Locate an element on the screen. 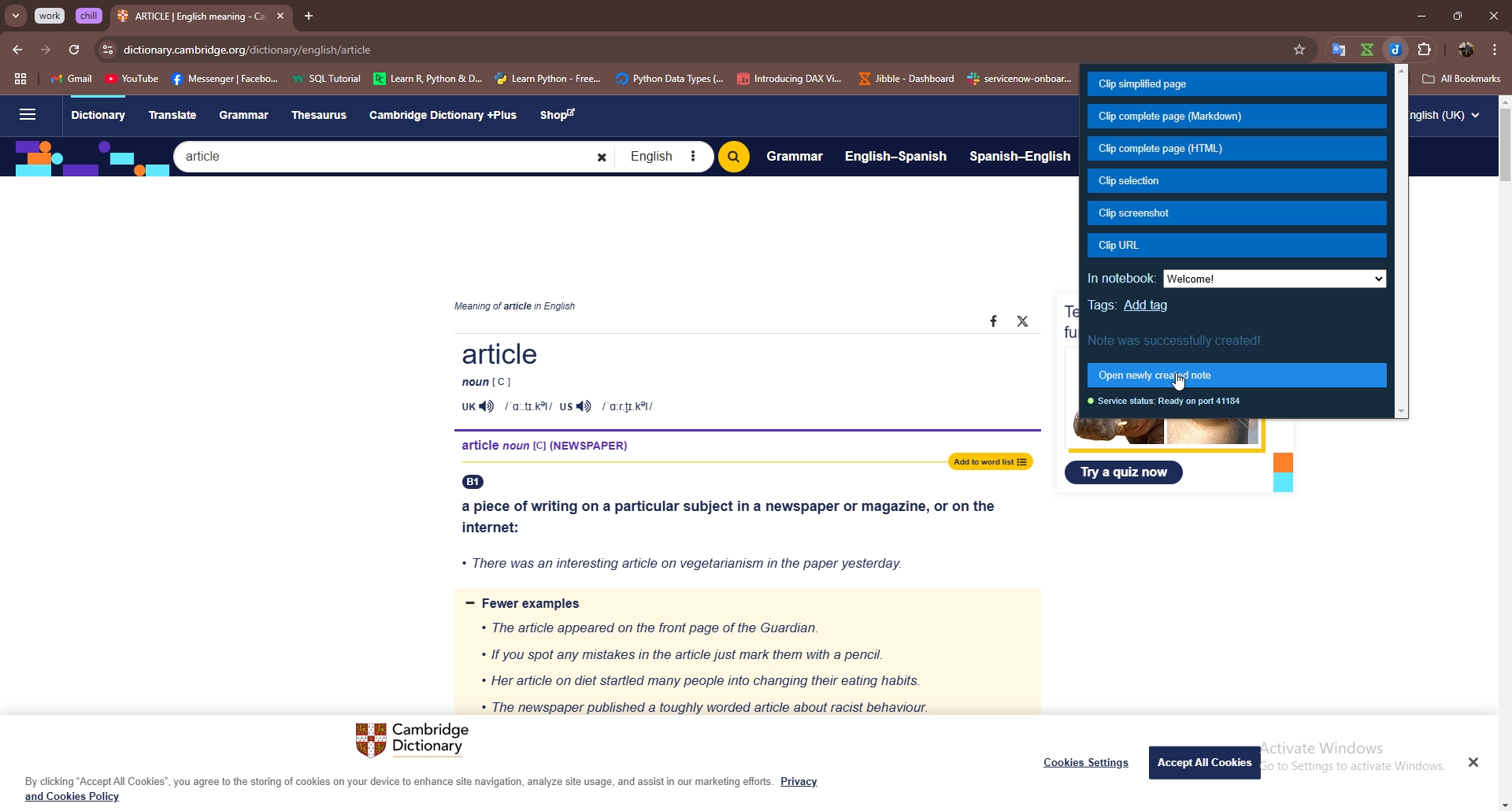 This screenshot has height=811, width=1512. Sidebar is located at coordinates (26, 116).